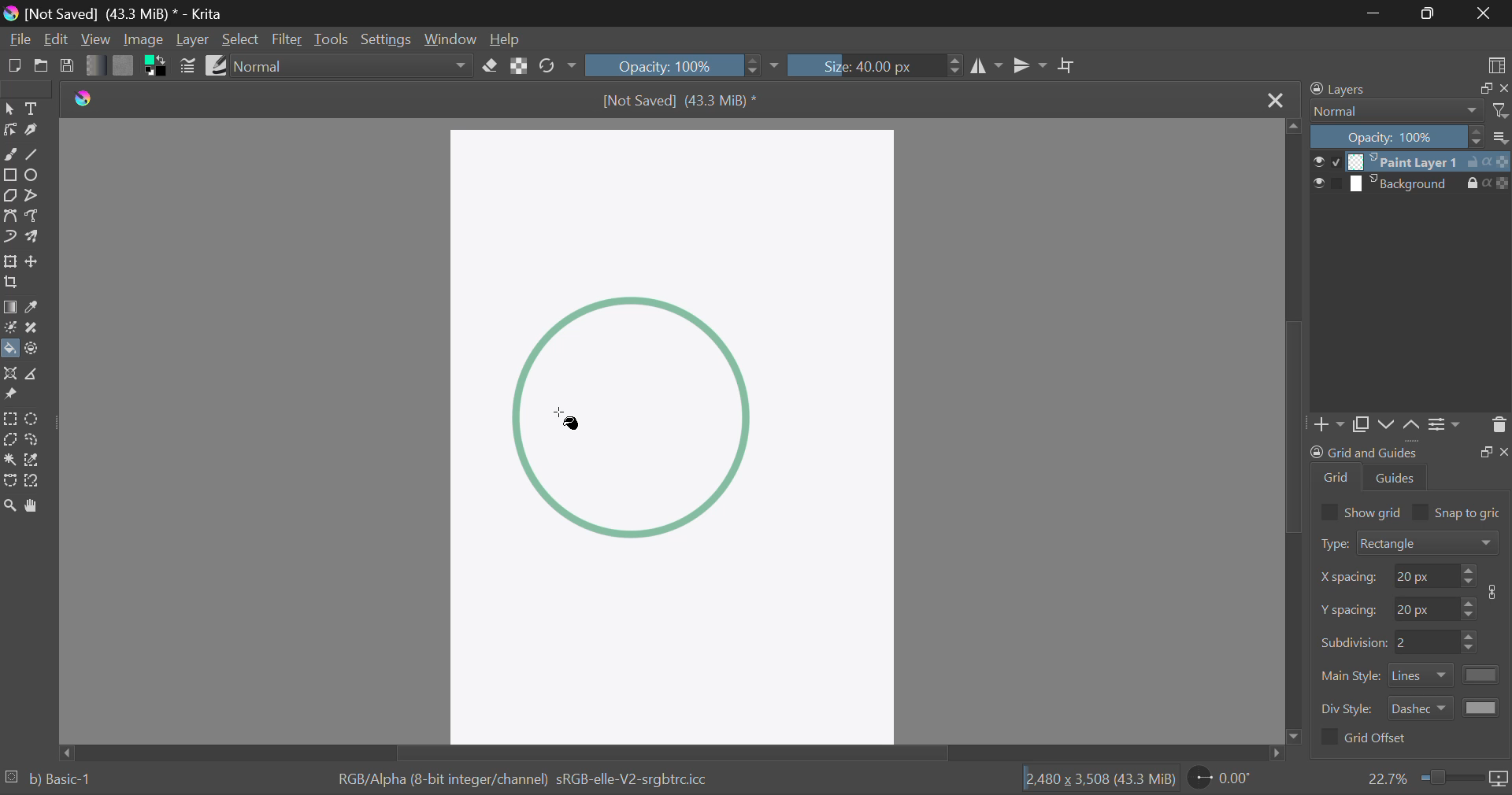  What do you see at coordinates (1293, 134) in the screenshot?
I see `move up` at bounding box center [1293, 134].